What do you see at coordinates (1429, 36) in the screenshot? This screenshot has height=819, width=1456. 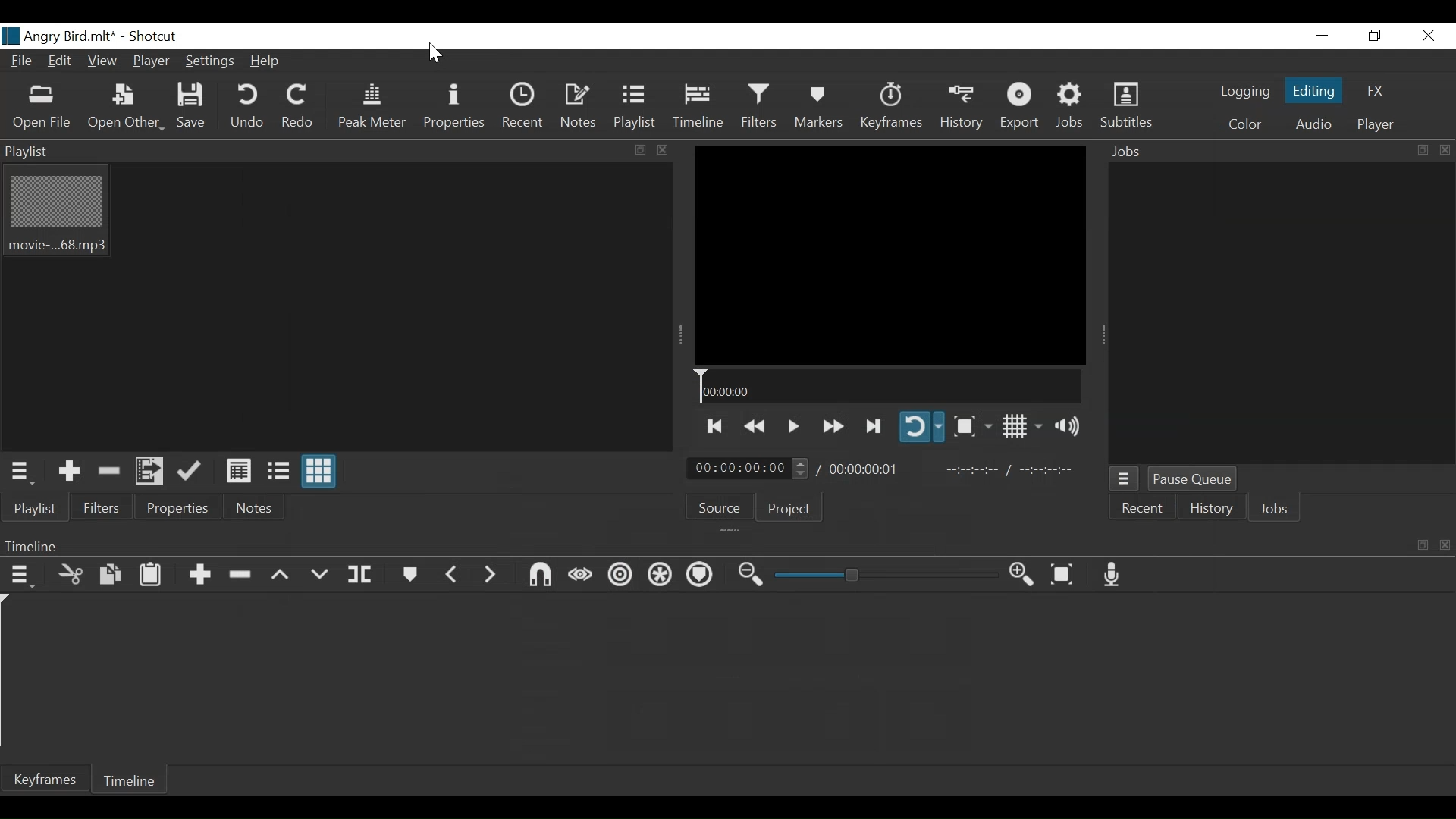 I see `Close` at bounding box center [1429, 36].